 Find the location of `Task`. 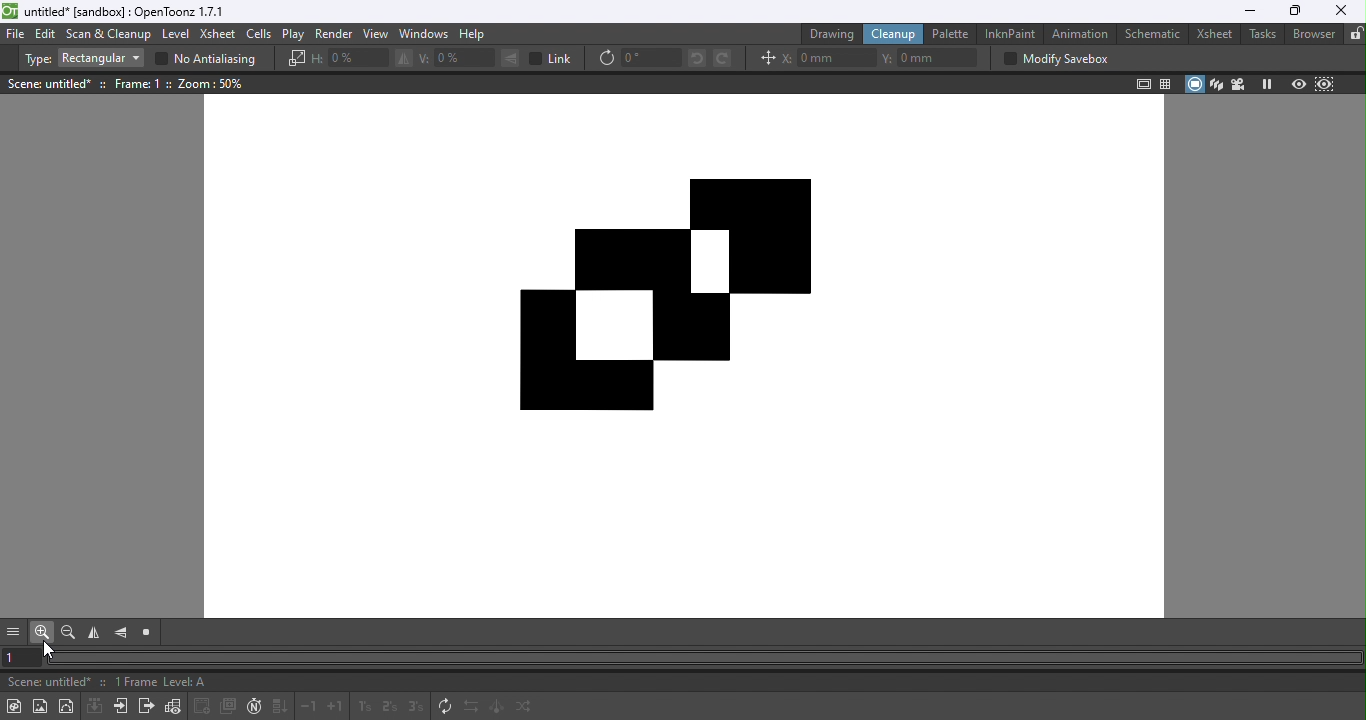

Task is located at coordinates (1261, 35).